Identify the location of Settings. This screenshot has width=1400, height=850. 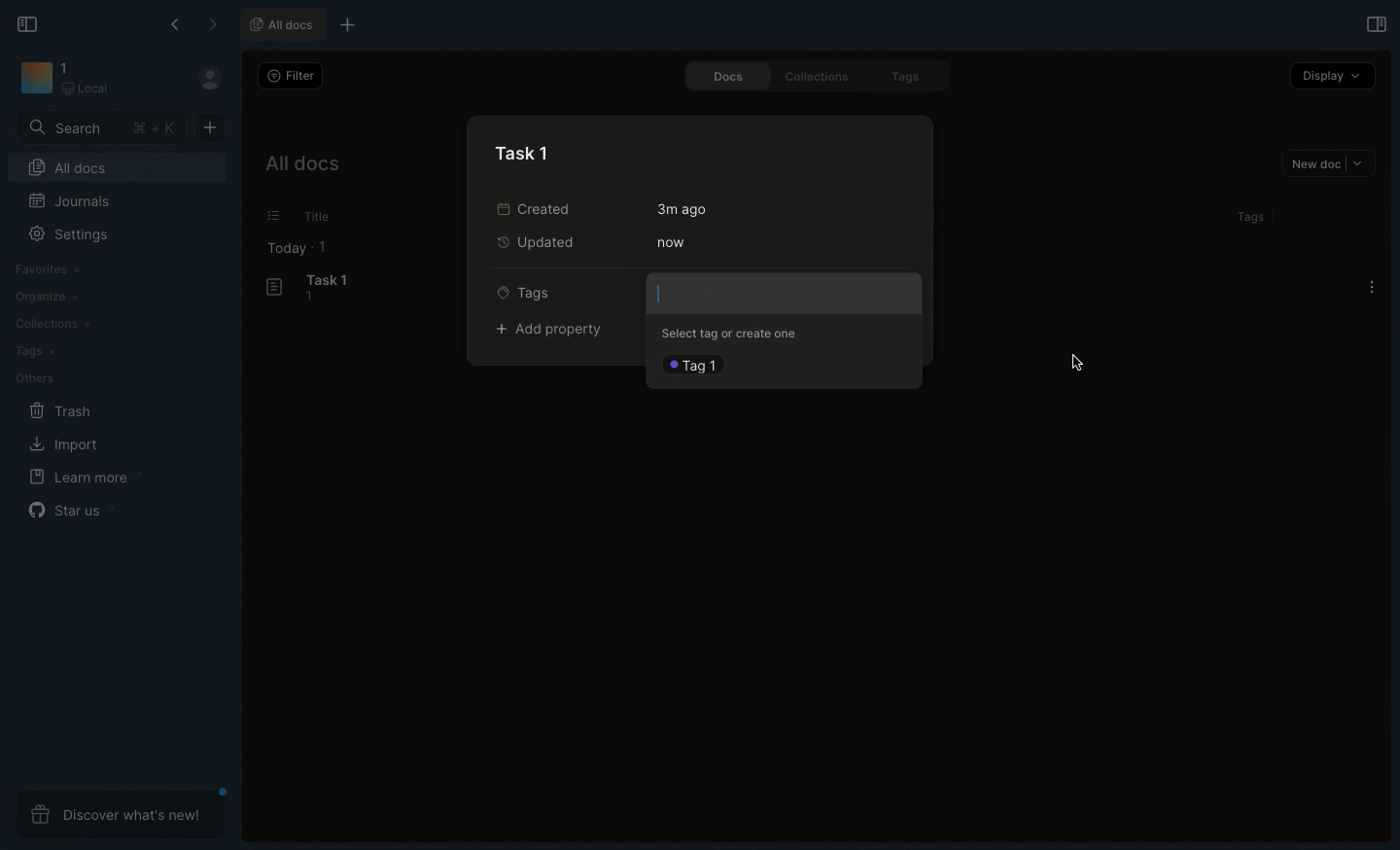
(65, 233).